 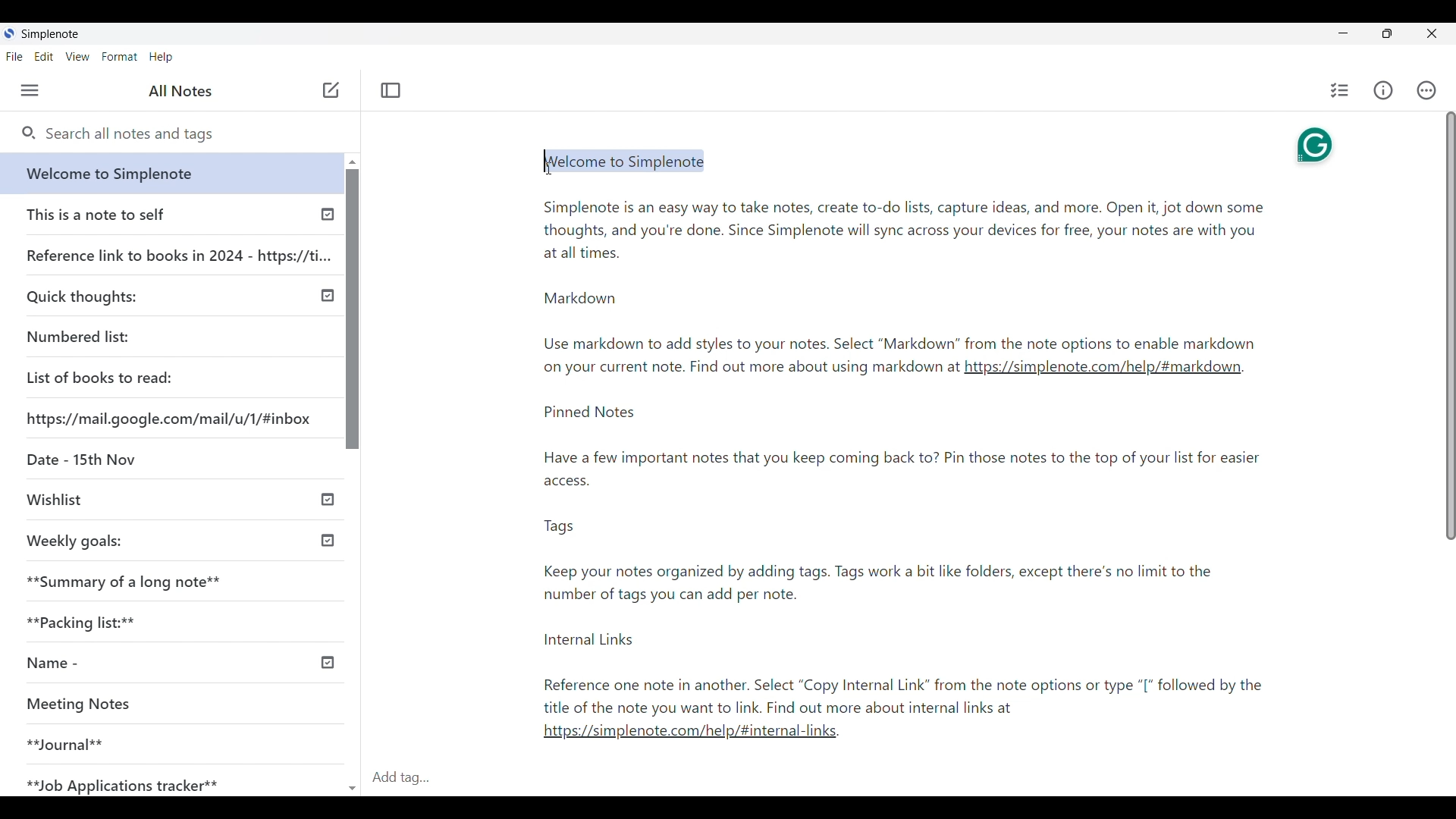 What do you see at coordinates (30, 90) in the screenshot?
I see `Menu` at bounding box center [30, 90].